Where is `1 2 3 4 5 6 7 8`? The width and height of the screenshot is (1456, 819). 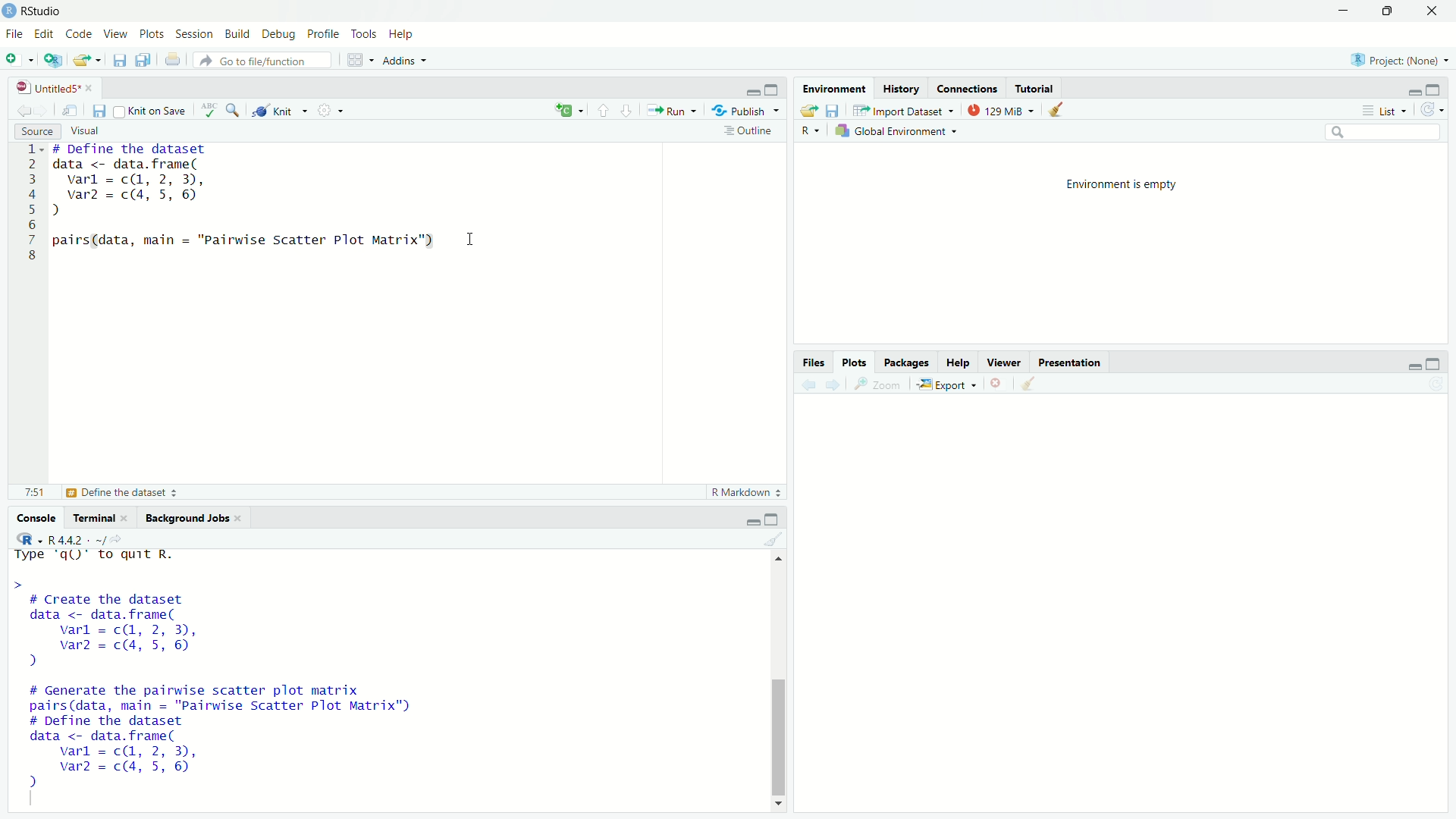 1 2 3 4 5 6 7 8 is located at coordinates (31, 206).